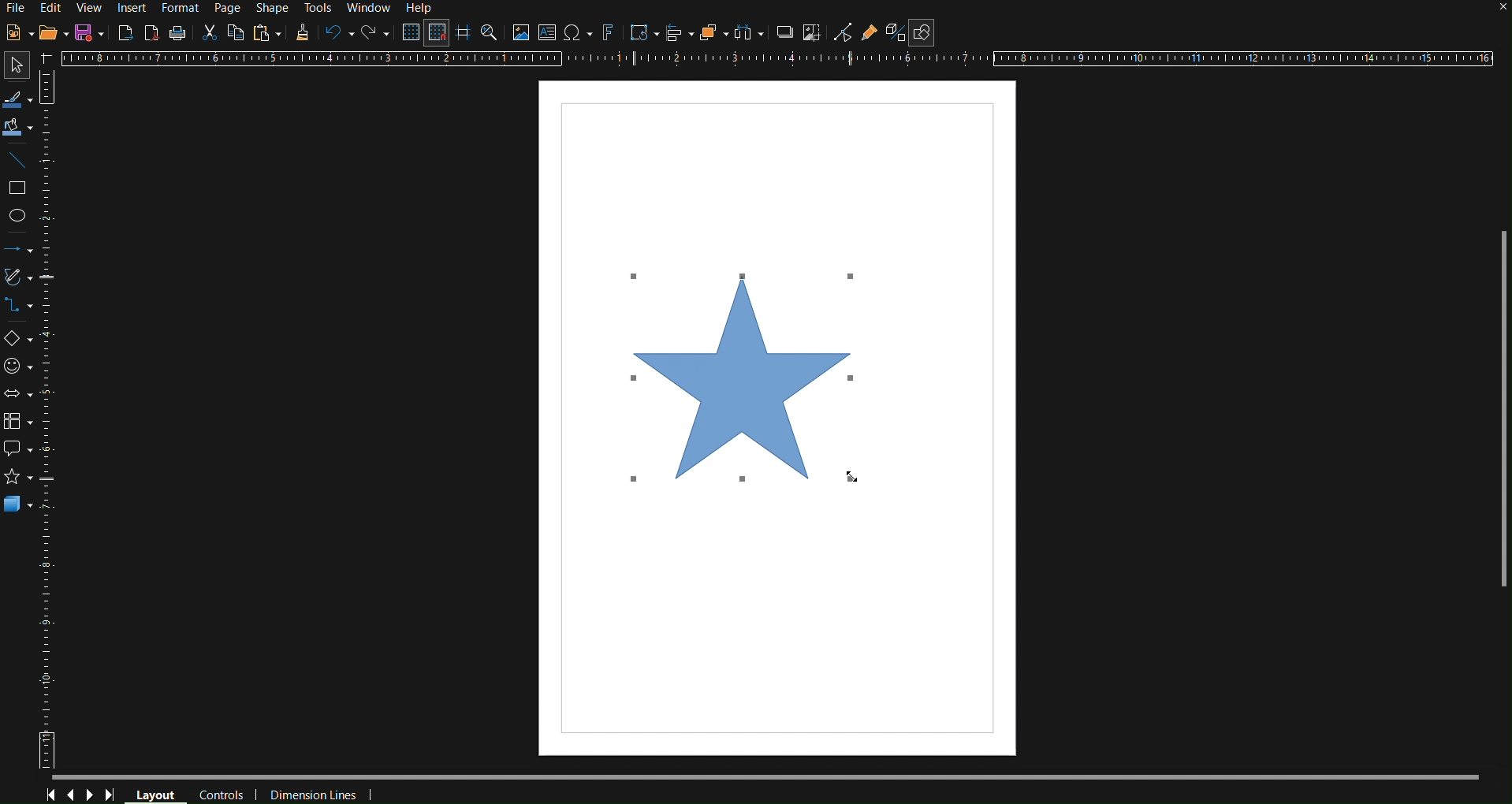 The width and height of the screenshot is (1512, 804). I want to click on Show Basic Shapes, so click(923, 32).